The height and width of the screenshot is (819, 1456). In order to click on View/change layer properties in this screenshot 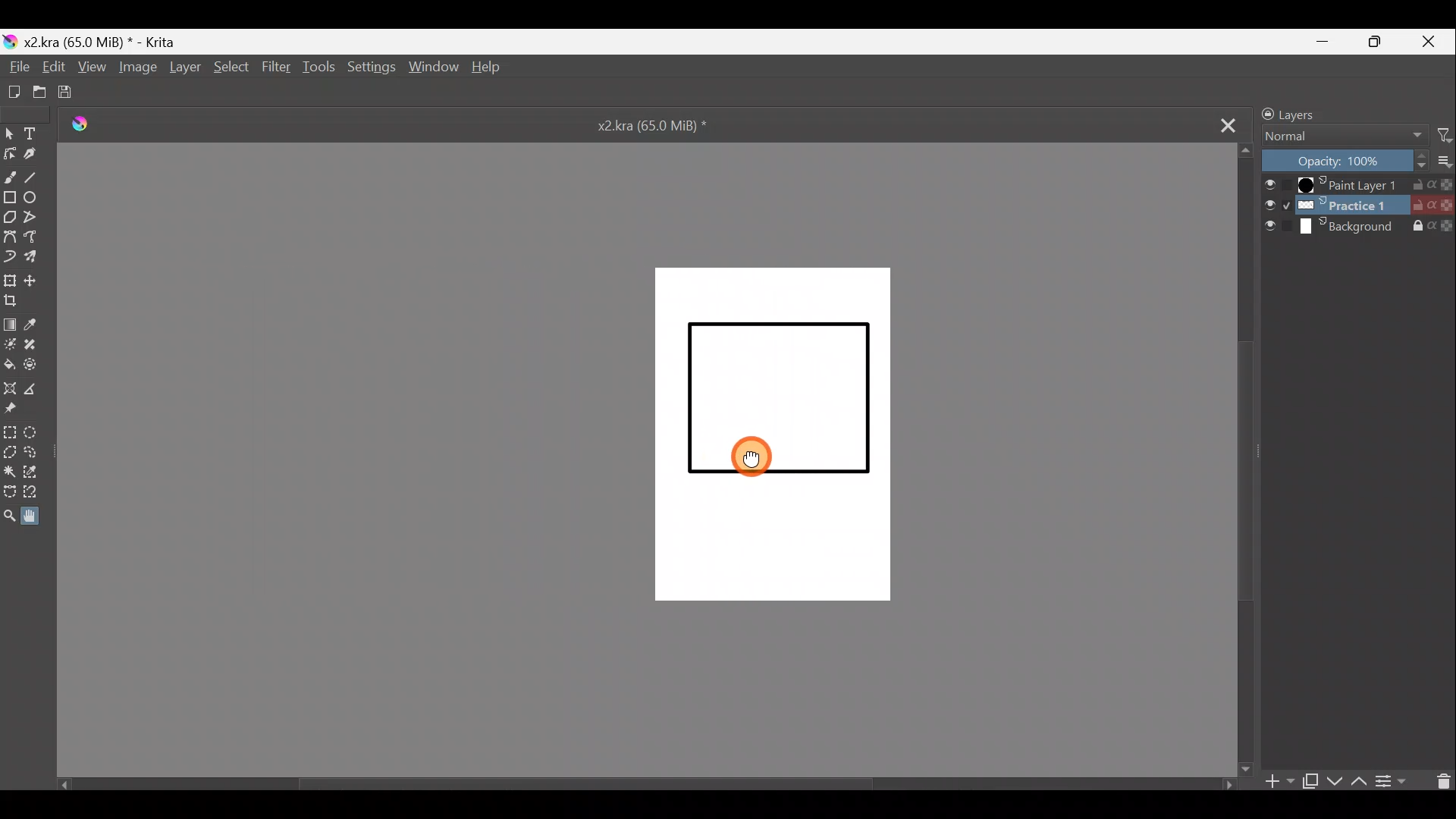, I will do `click(1393, 781)`.